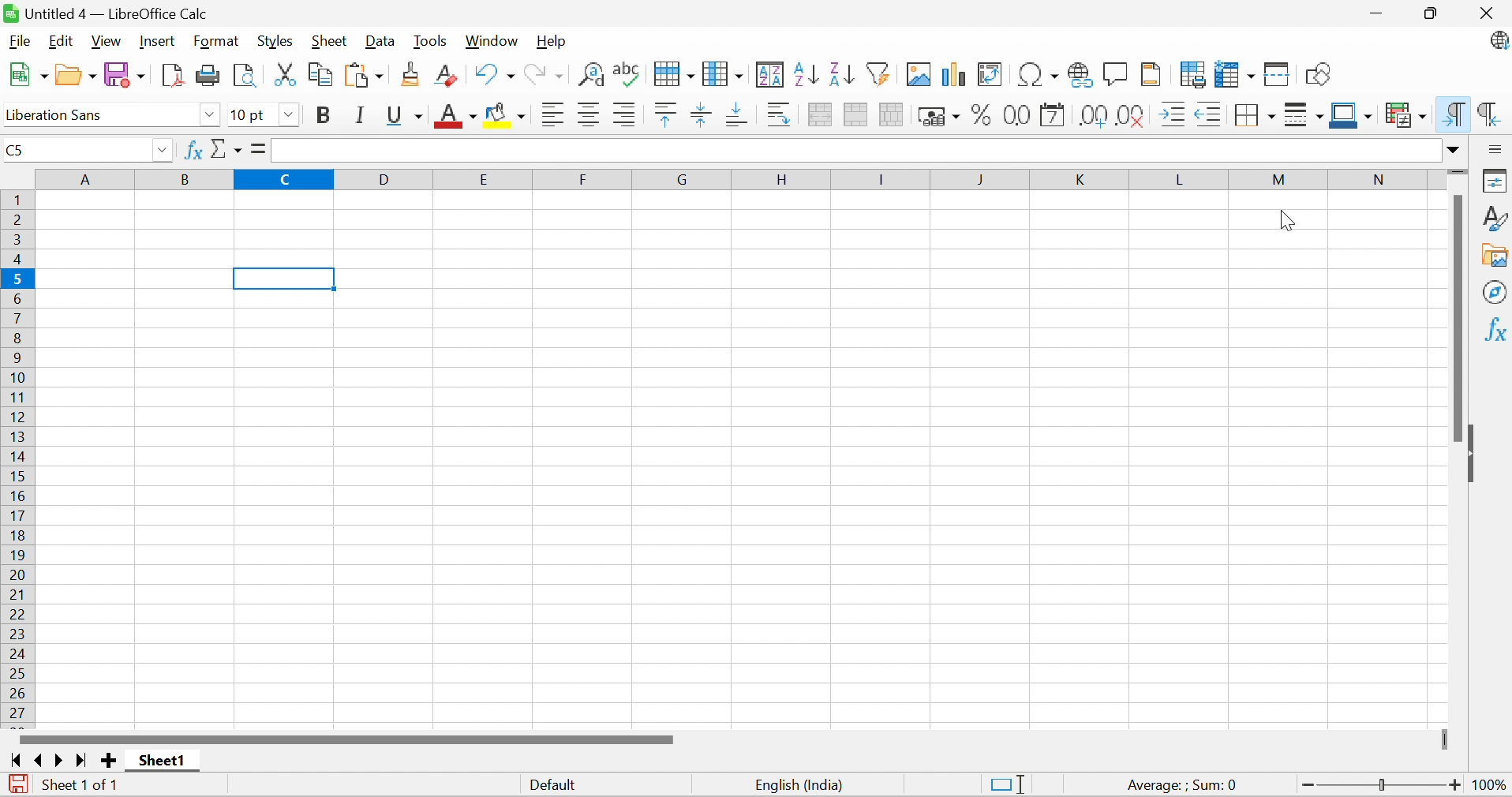  Describe the element at coordinates (507, 116) in the screenshot. I see `Background color` at that location.